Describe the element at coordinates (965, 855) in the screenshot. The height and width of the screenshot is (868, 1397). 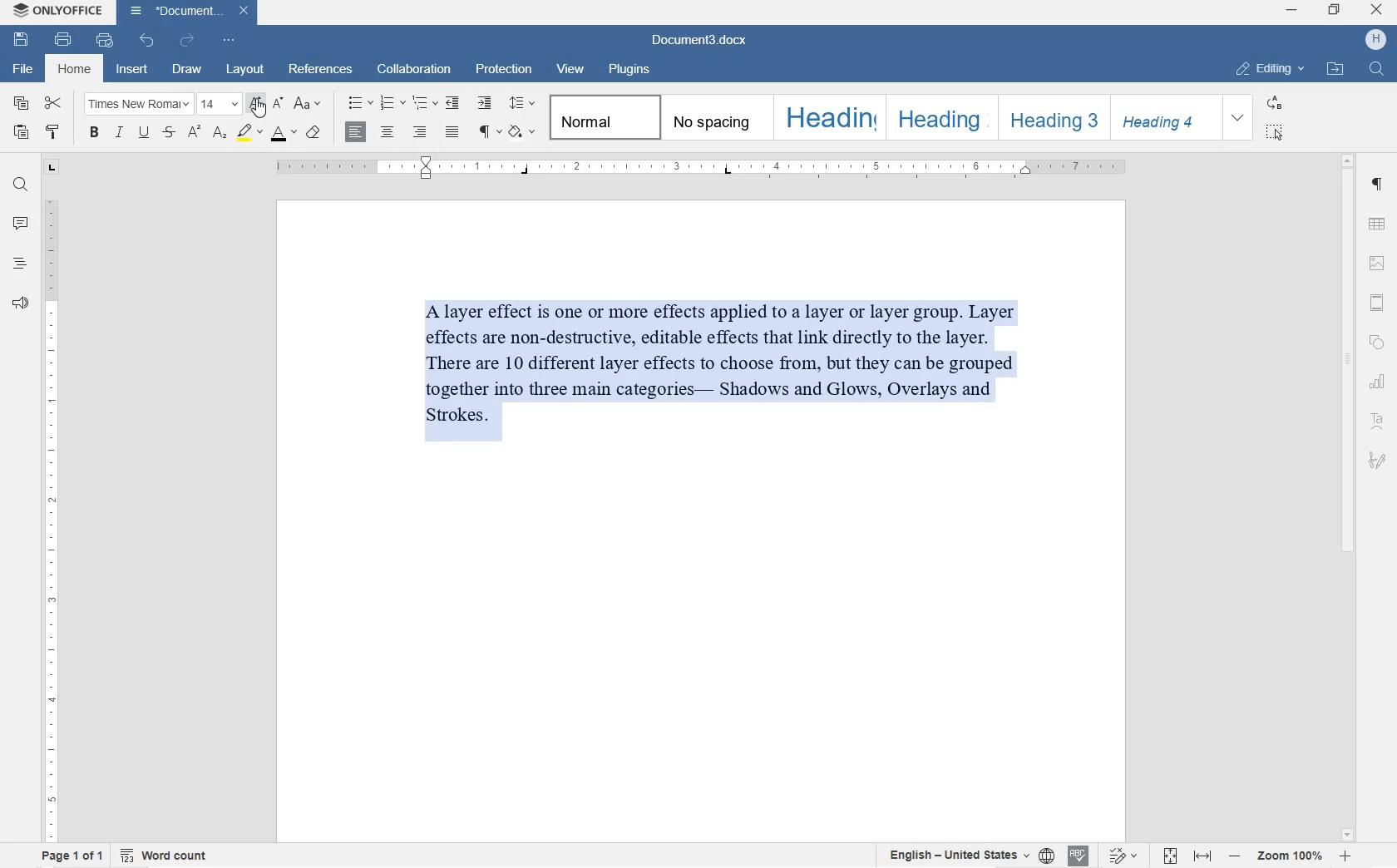
I see `set text or document language` at that location.